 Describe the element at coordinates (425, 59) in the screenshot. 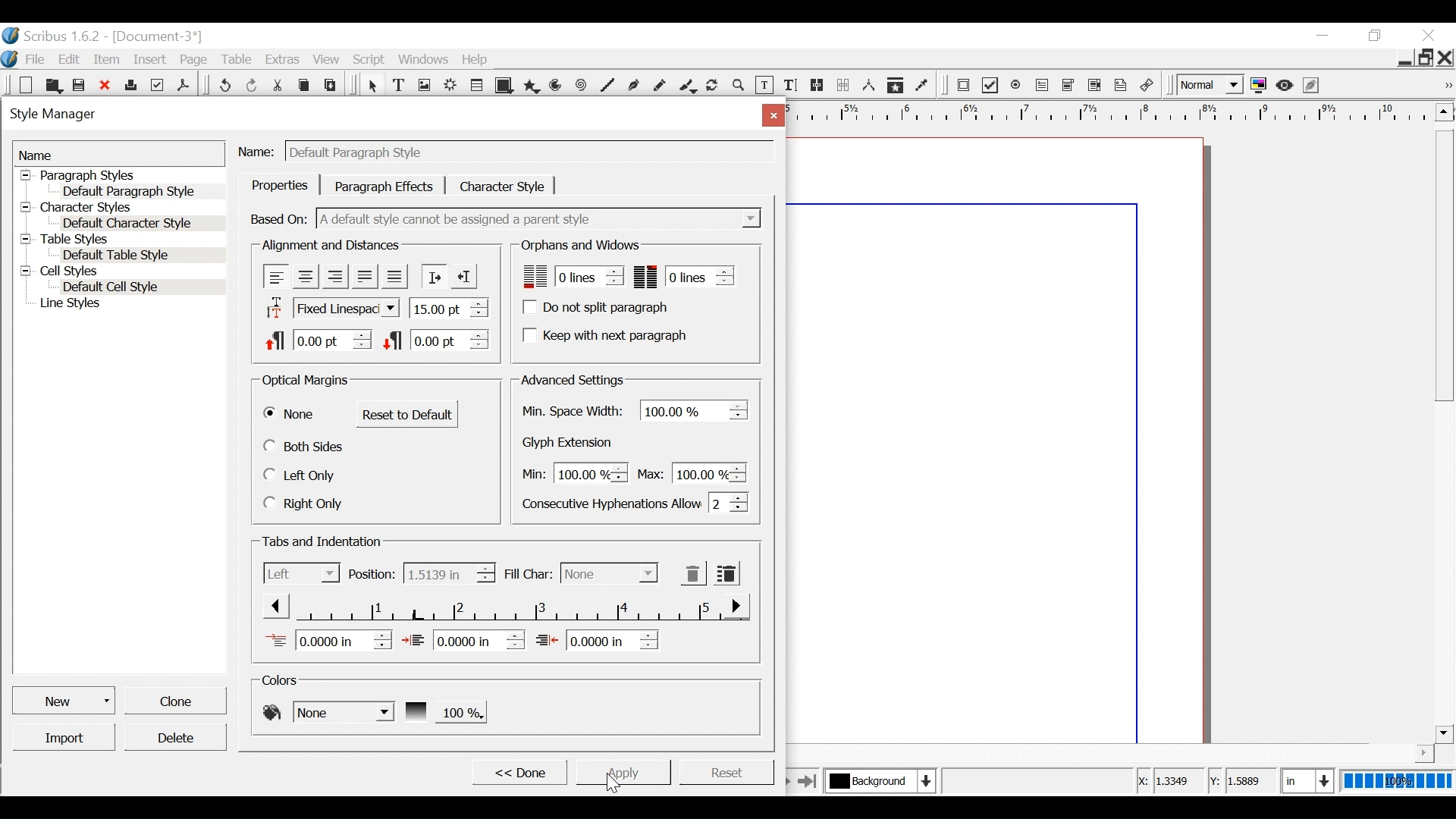

I see `Windows` at that location.